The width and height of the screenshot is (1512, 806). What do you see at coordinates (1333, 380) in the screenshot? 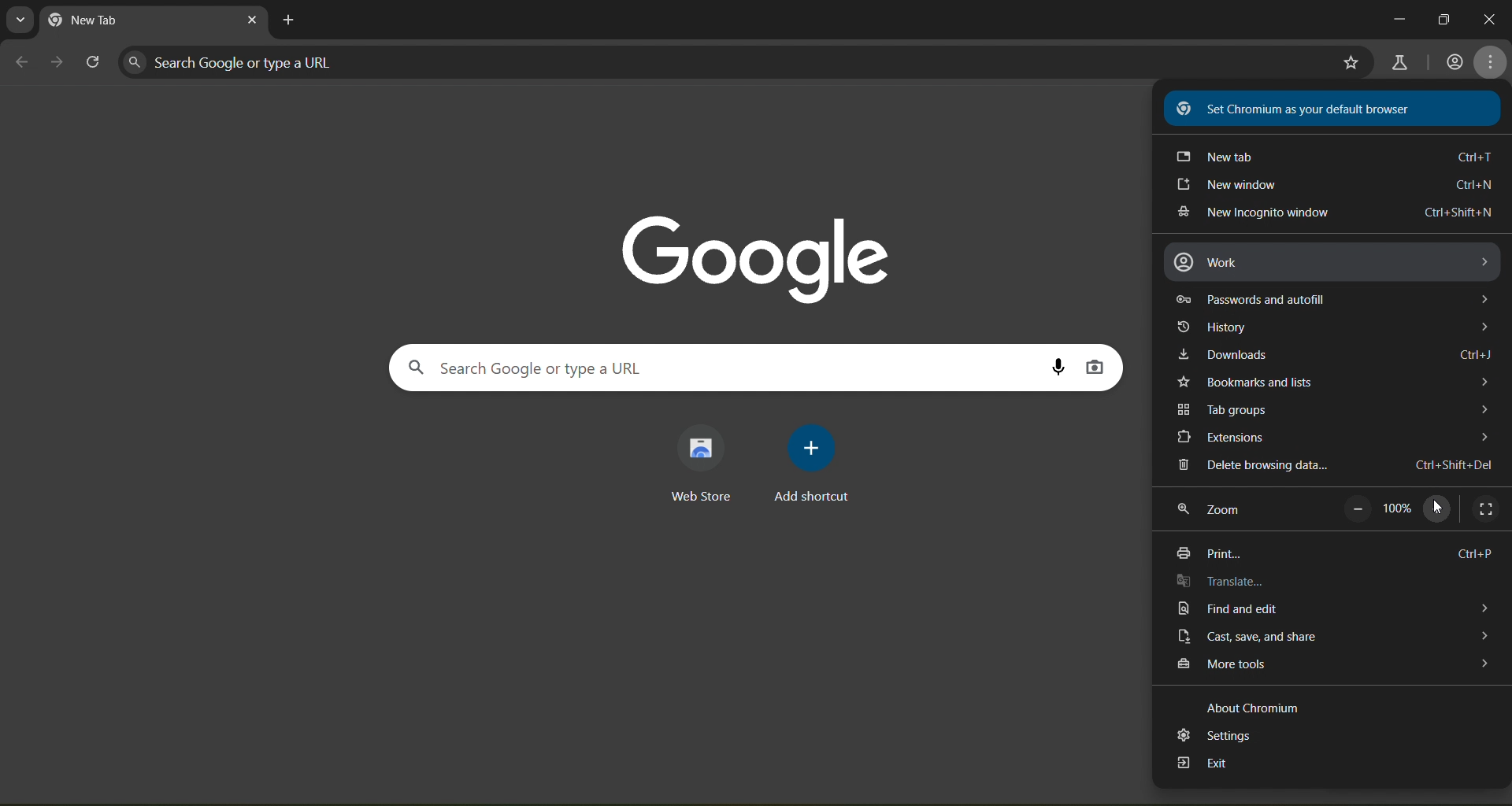
I see `bookmarks and lists` at bounding box center [1333, 380].